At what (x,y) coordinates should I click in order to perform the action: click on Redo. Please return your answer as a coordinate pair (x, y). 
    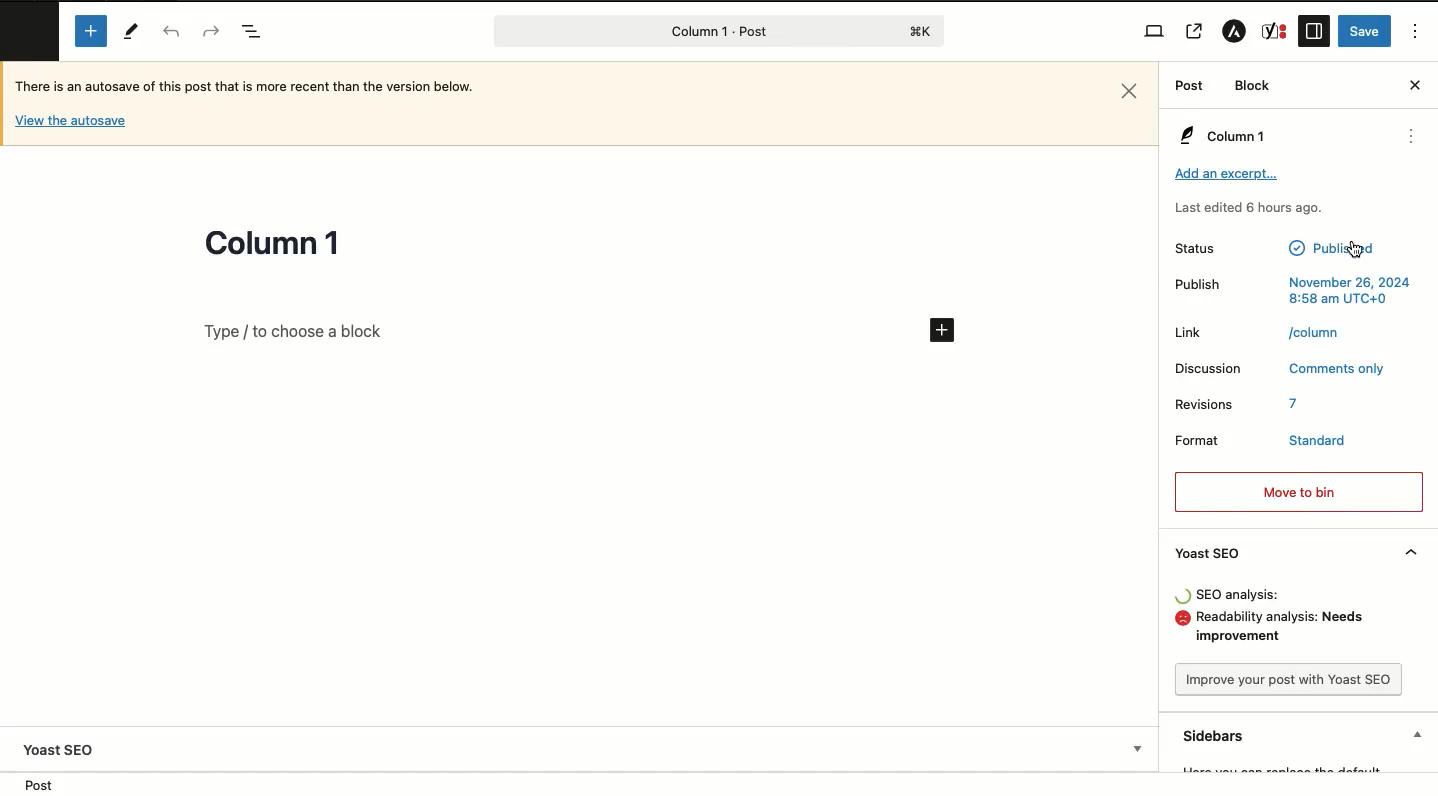
    Looking at the image, I should click on (208, 30).